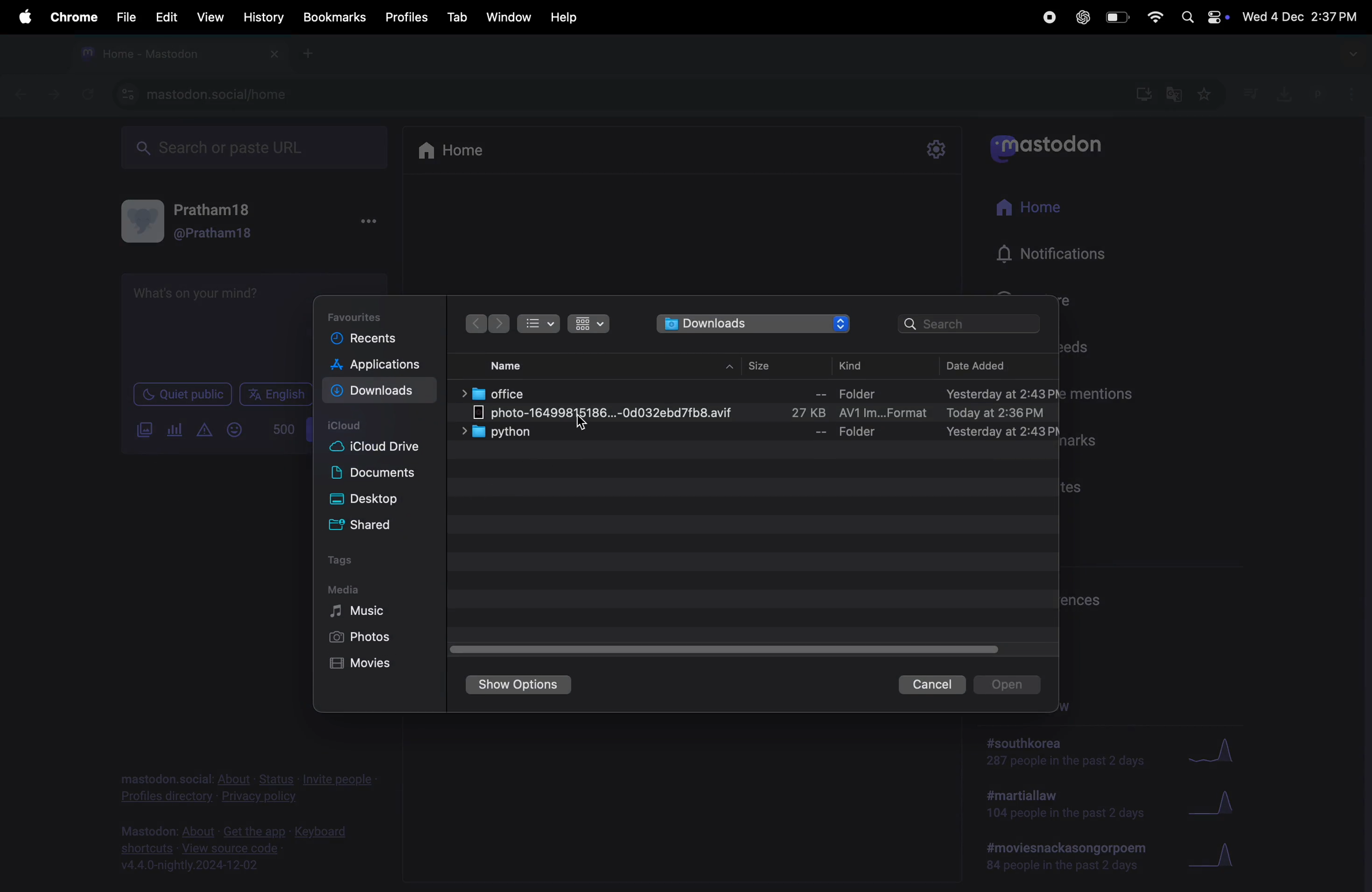 The height and width of the screenshot is (892, 1372). What do you see at coordinates (175, 54) in the screenshot?
I see `mastodon tab` at bounding box center [175, 54].